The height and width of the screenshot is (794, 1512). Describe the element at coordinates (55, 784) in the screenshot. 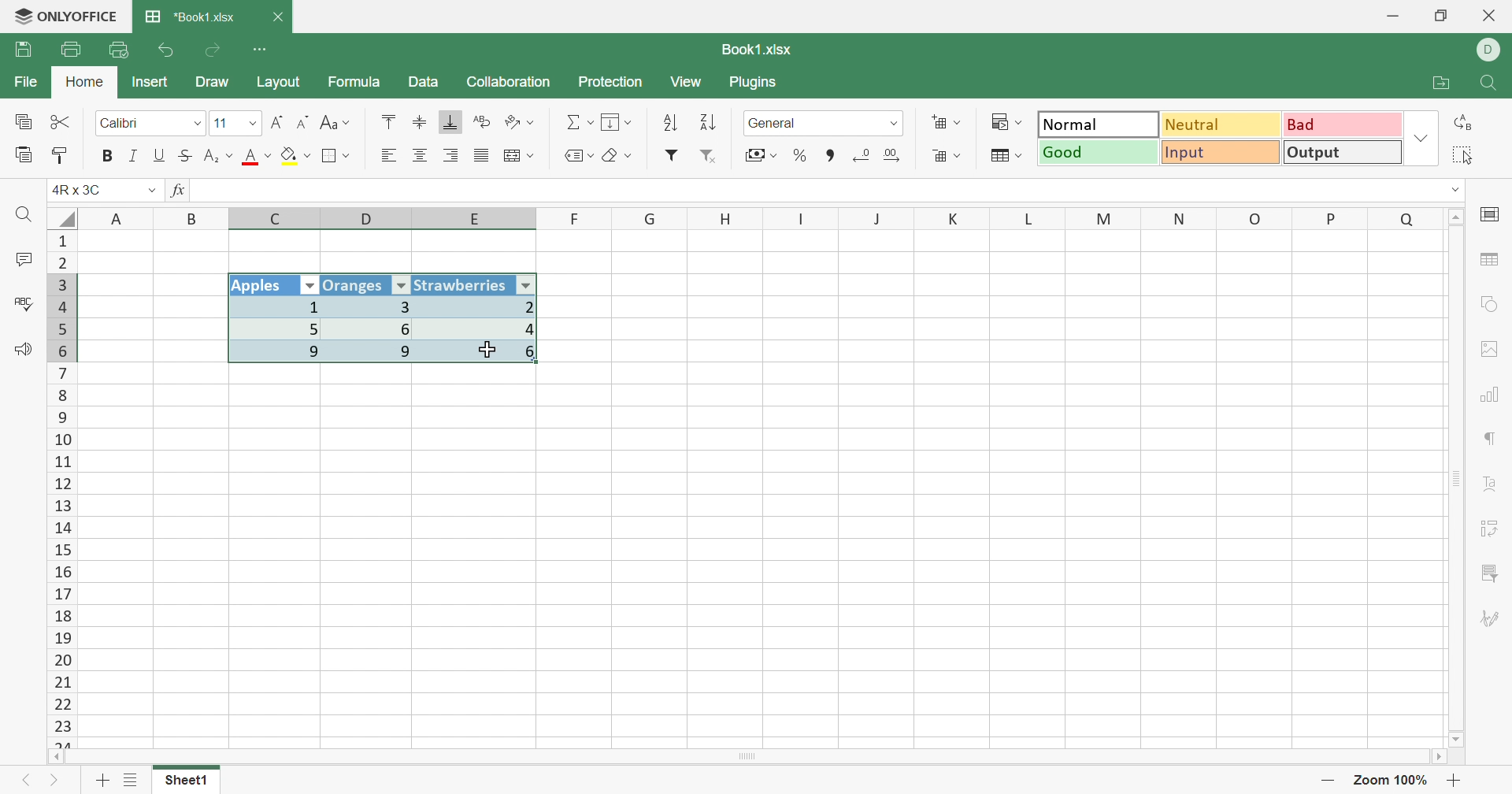

I see `Next` at that location.